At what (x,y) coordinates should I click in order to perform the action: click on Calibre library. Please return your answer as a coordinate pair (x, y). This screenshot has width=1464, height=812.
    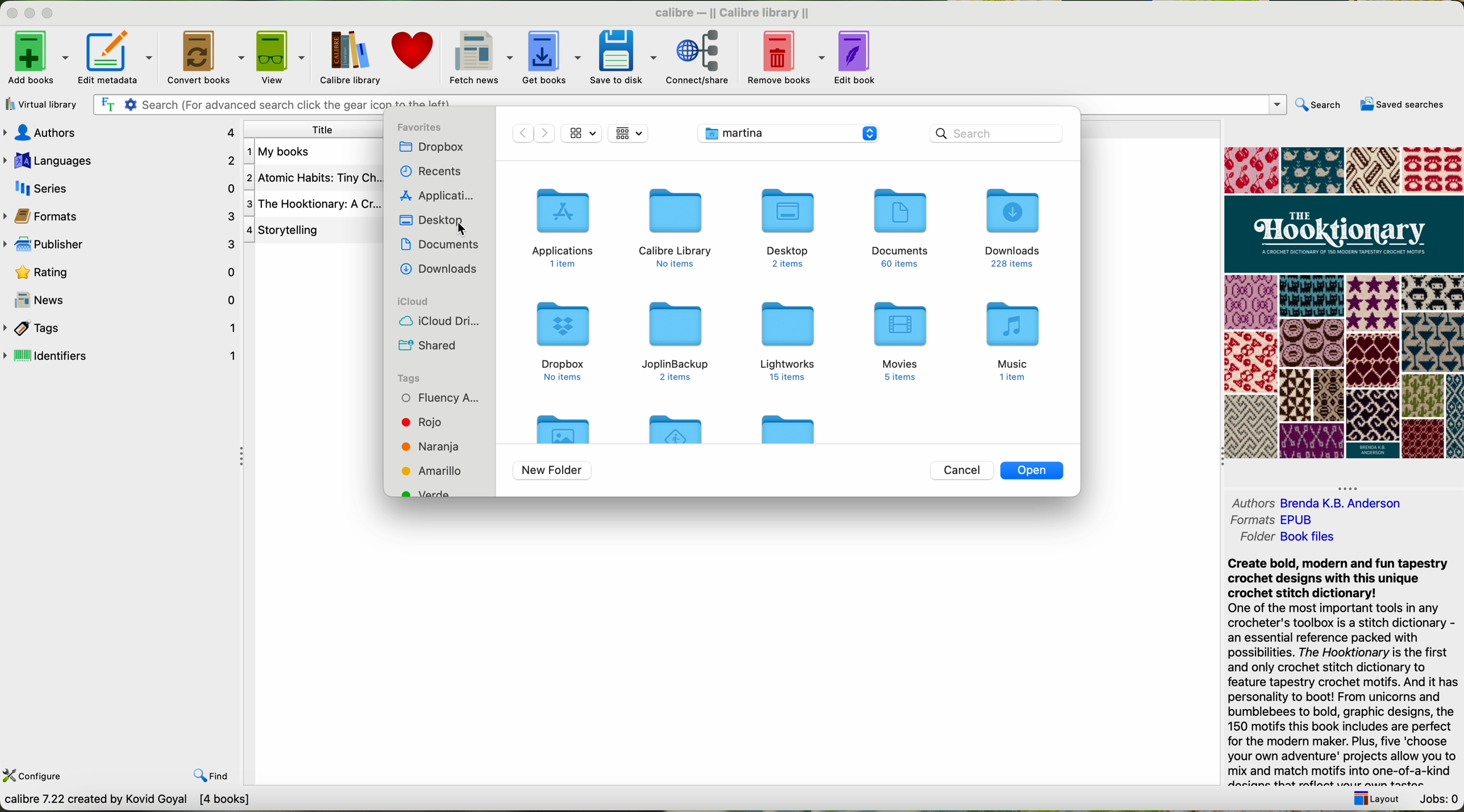
    Looking at the image, I should click on (732, 12).